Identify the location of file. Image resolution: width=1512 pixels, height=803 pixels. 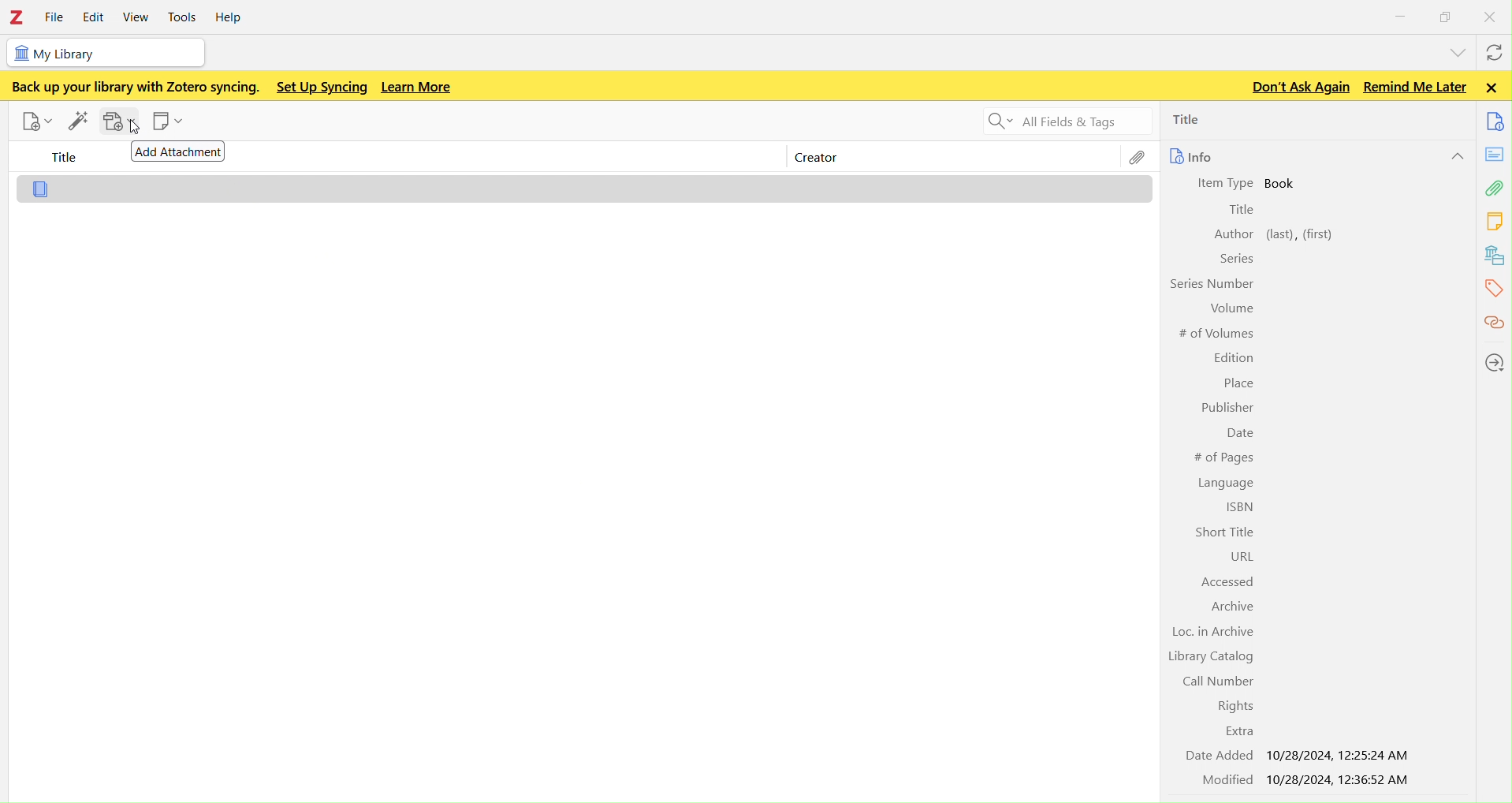
(1136, 158).